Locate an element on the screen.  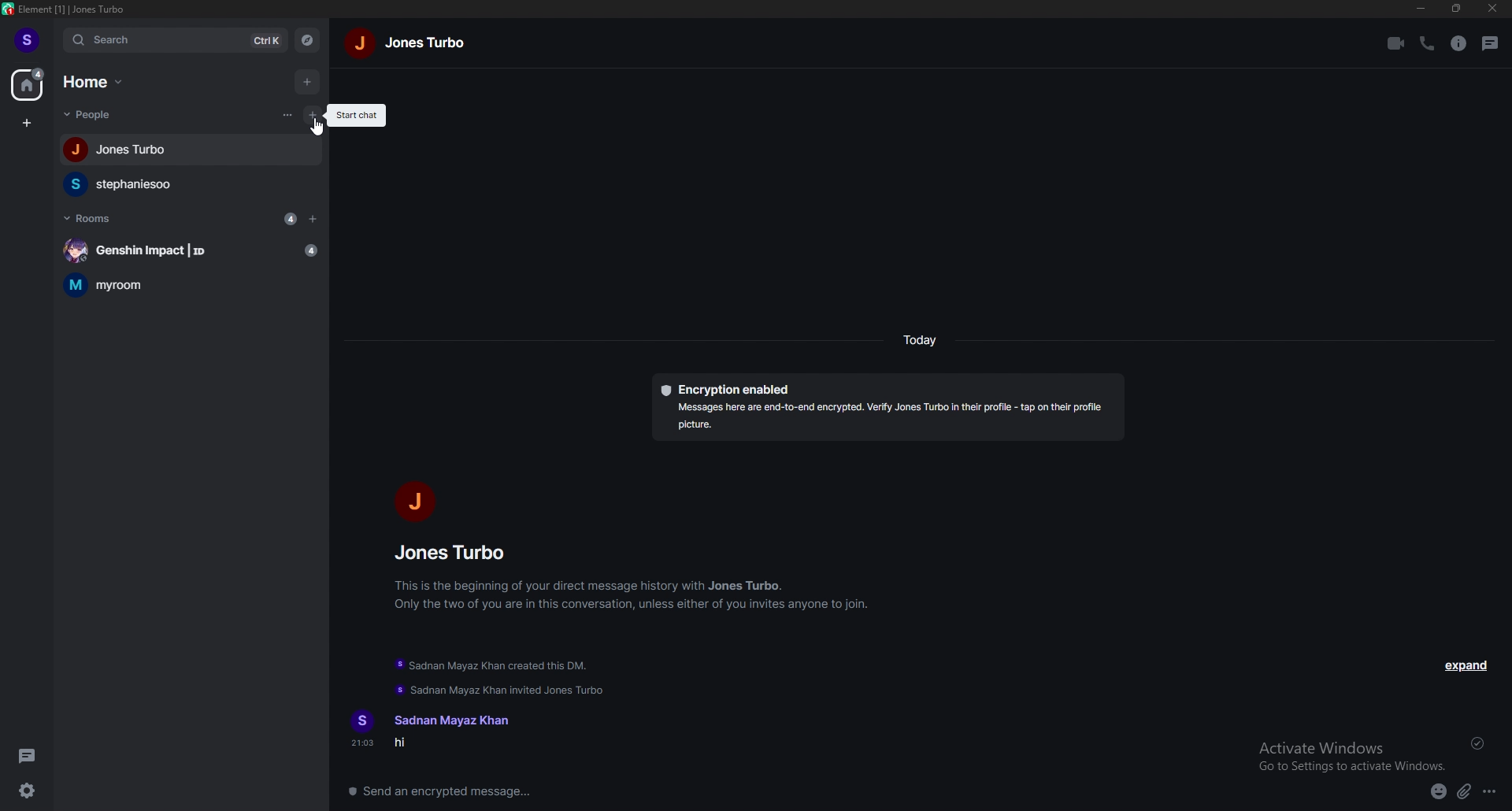
room info is located at coordinates (1459, 44).